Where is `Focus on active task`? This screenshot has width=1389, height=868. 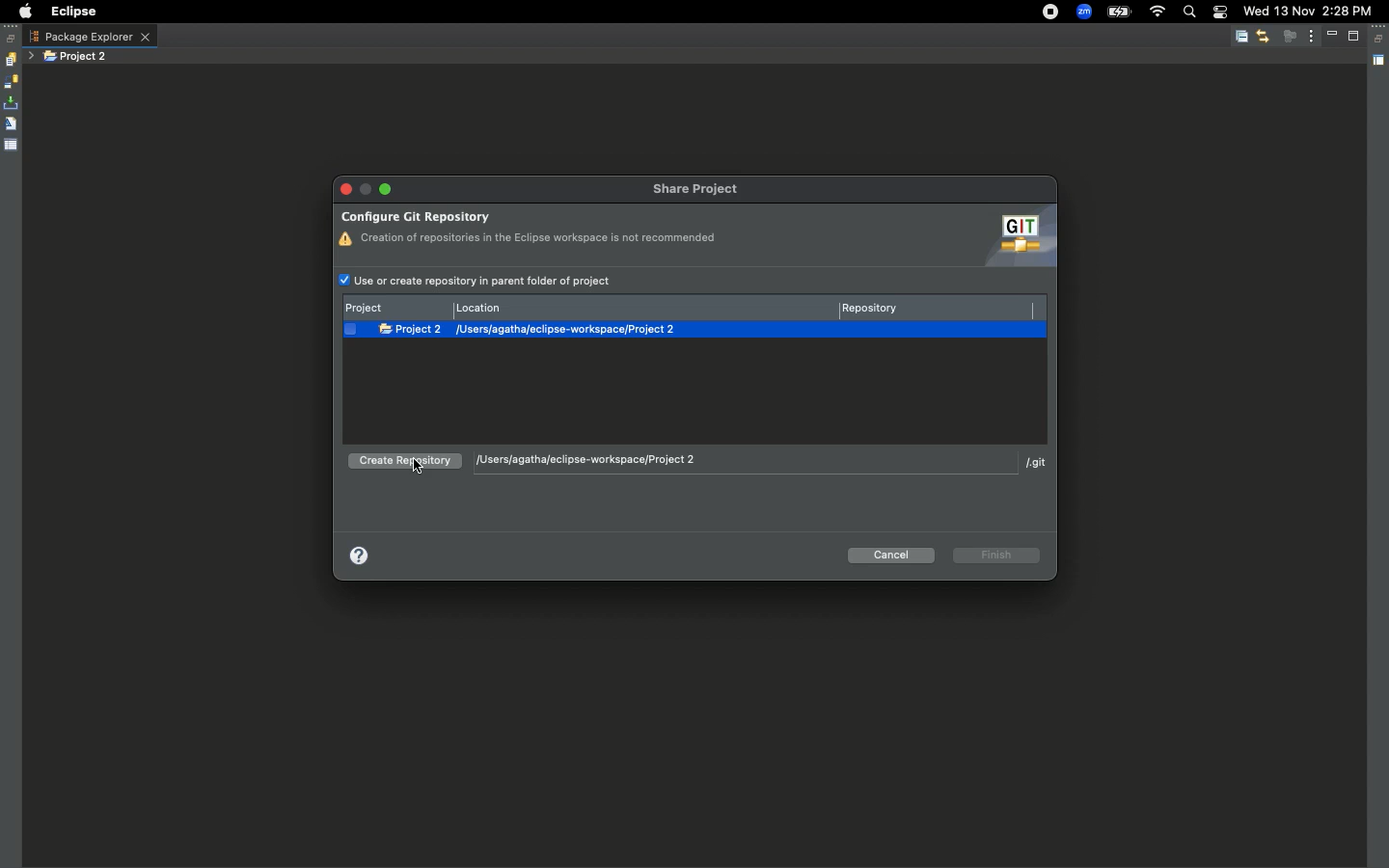 Focus on active task is located at coordinates (1290, 36).